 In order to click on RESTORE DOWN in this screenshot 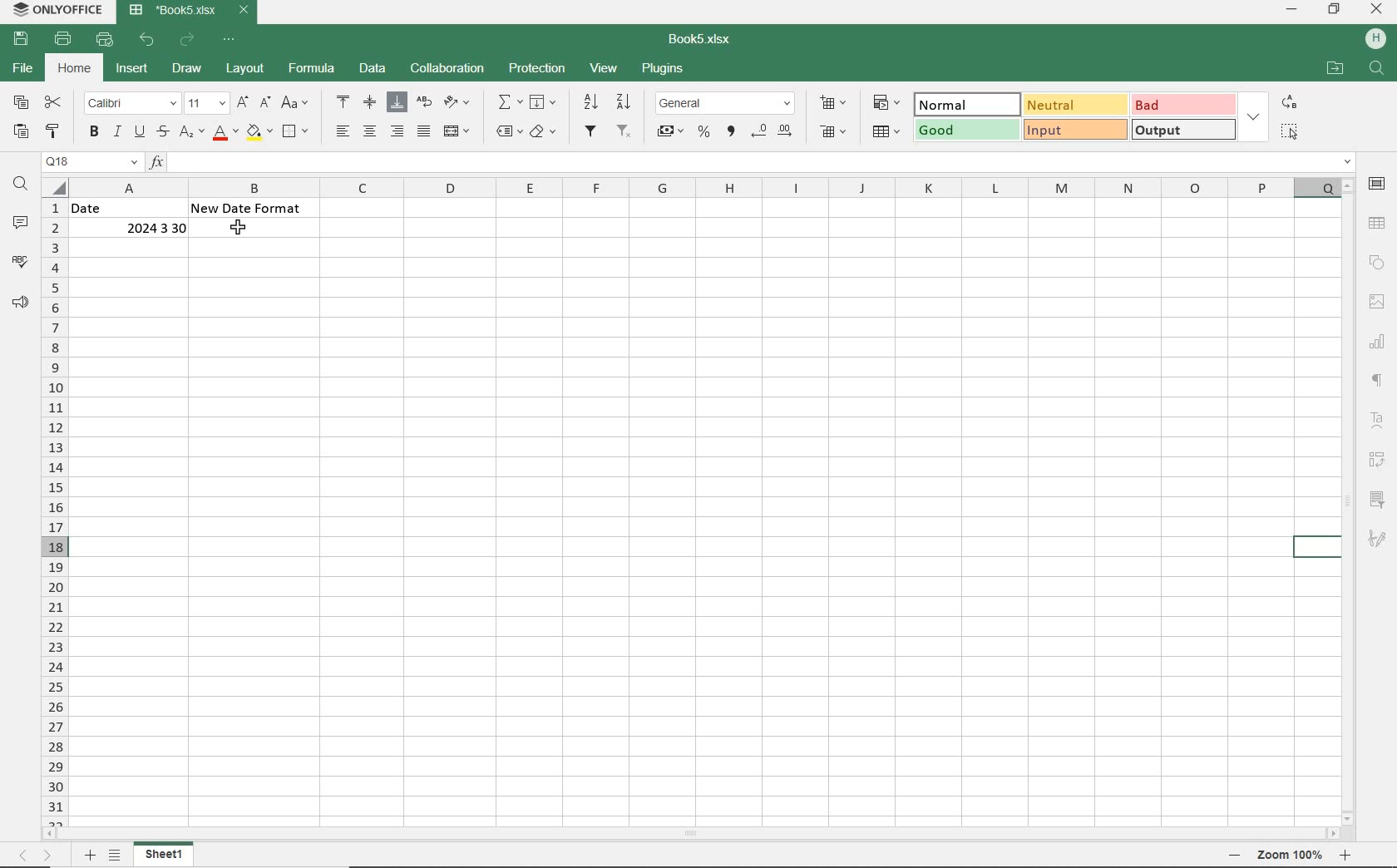, I will do `click(1334, 9)`.